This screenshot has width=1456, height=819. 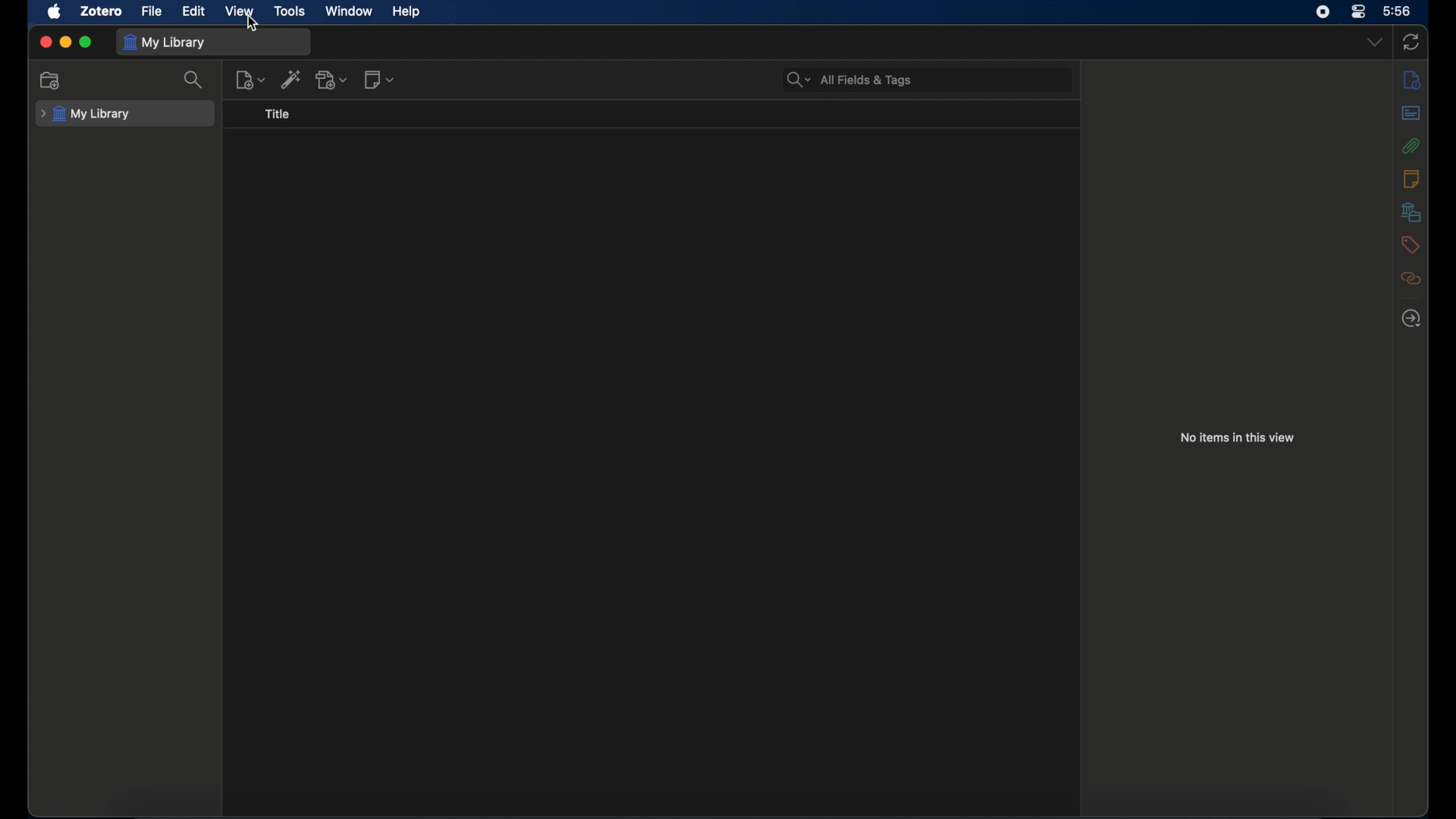 What do you see at coordinates (1409, 244) in the screenshot?
I see `tags` at bounding box center [1409, 244].